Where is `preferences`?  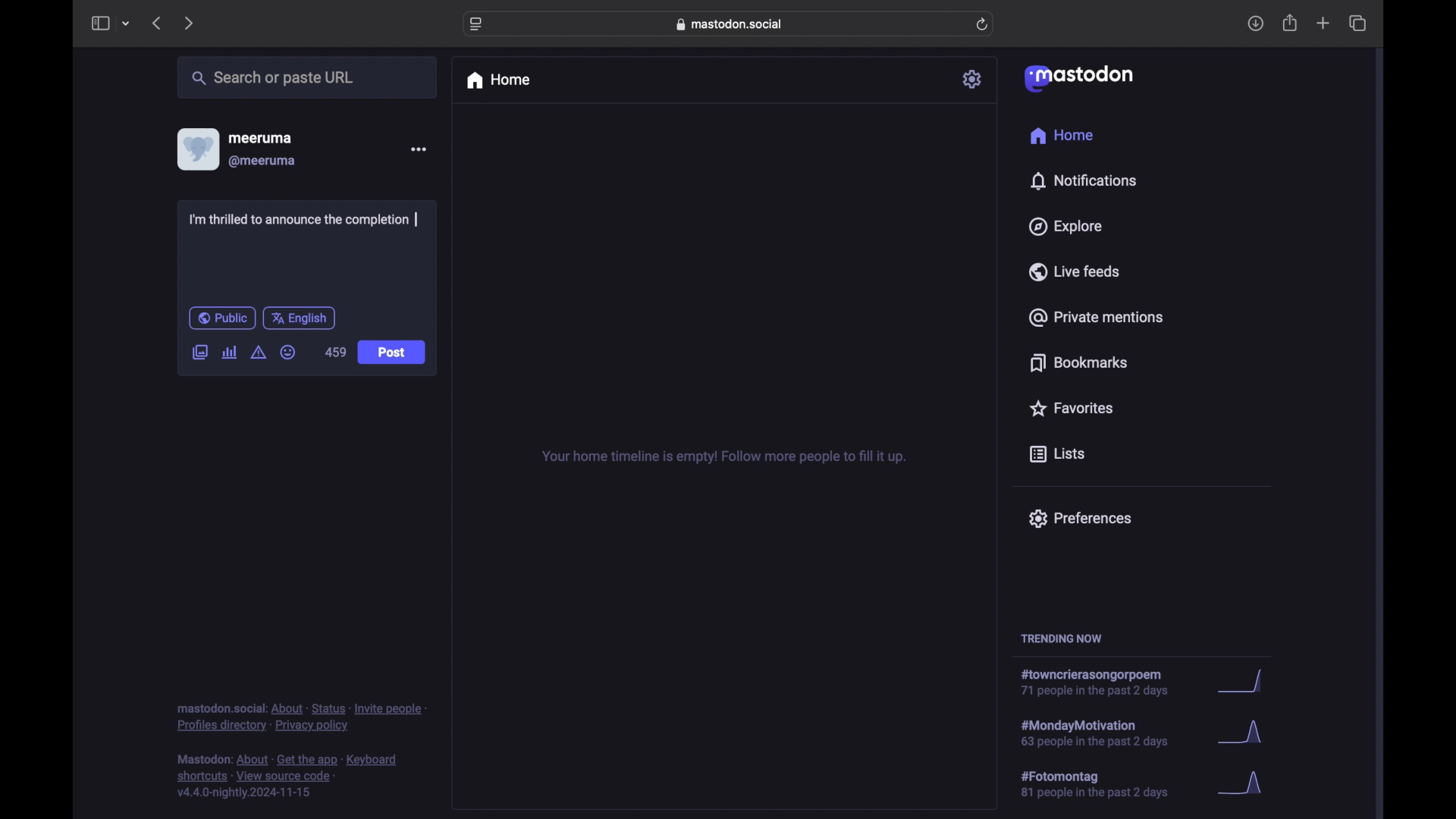
preferences is located at coordinates (1080, 519).